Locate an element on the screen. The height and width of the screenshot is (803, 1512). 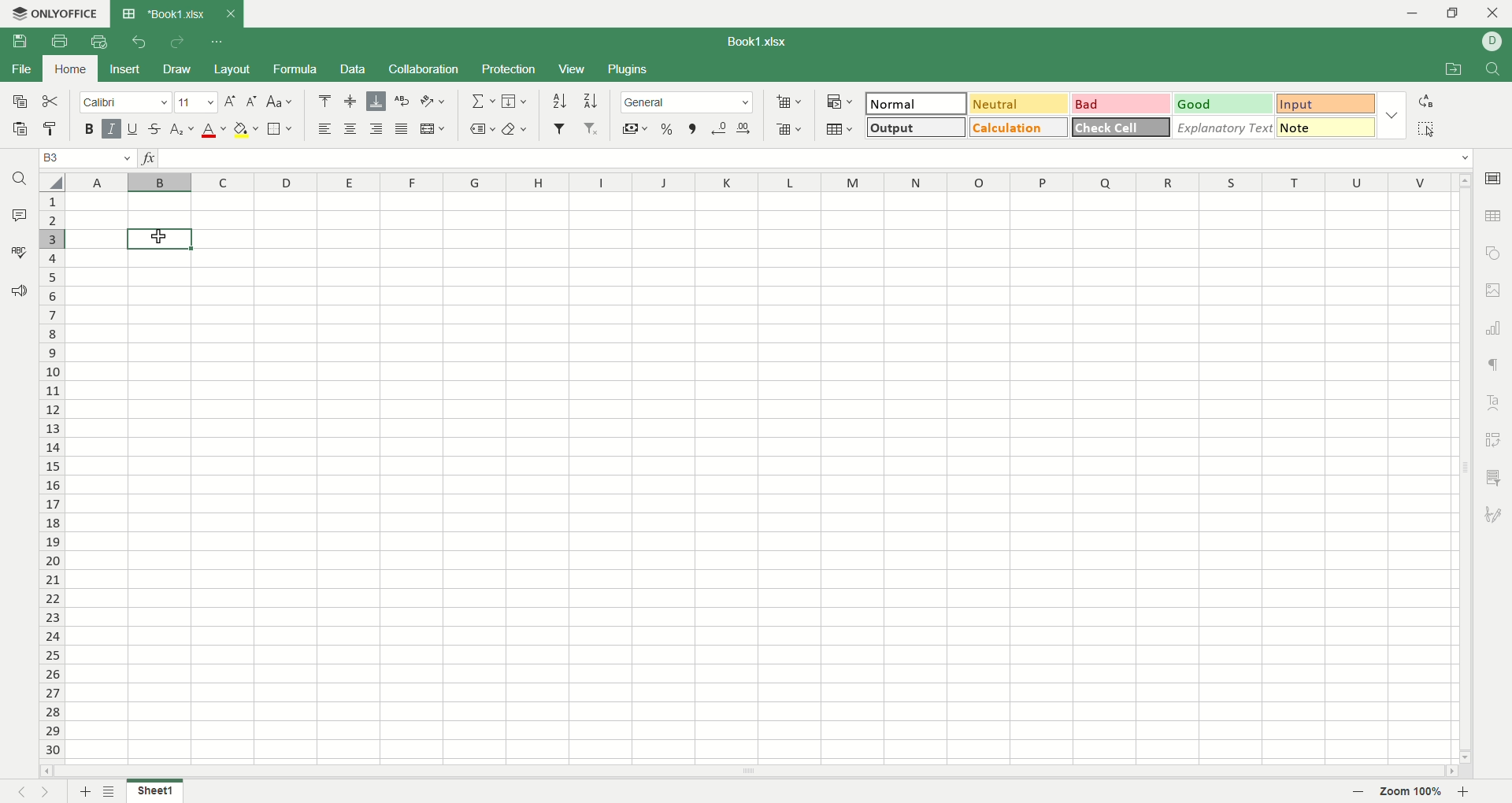
summation is located at coordinates (482, 100).